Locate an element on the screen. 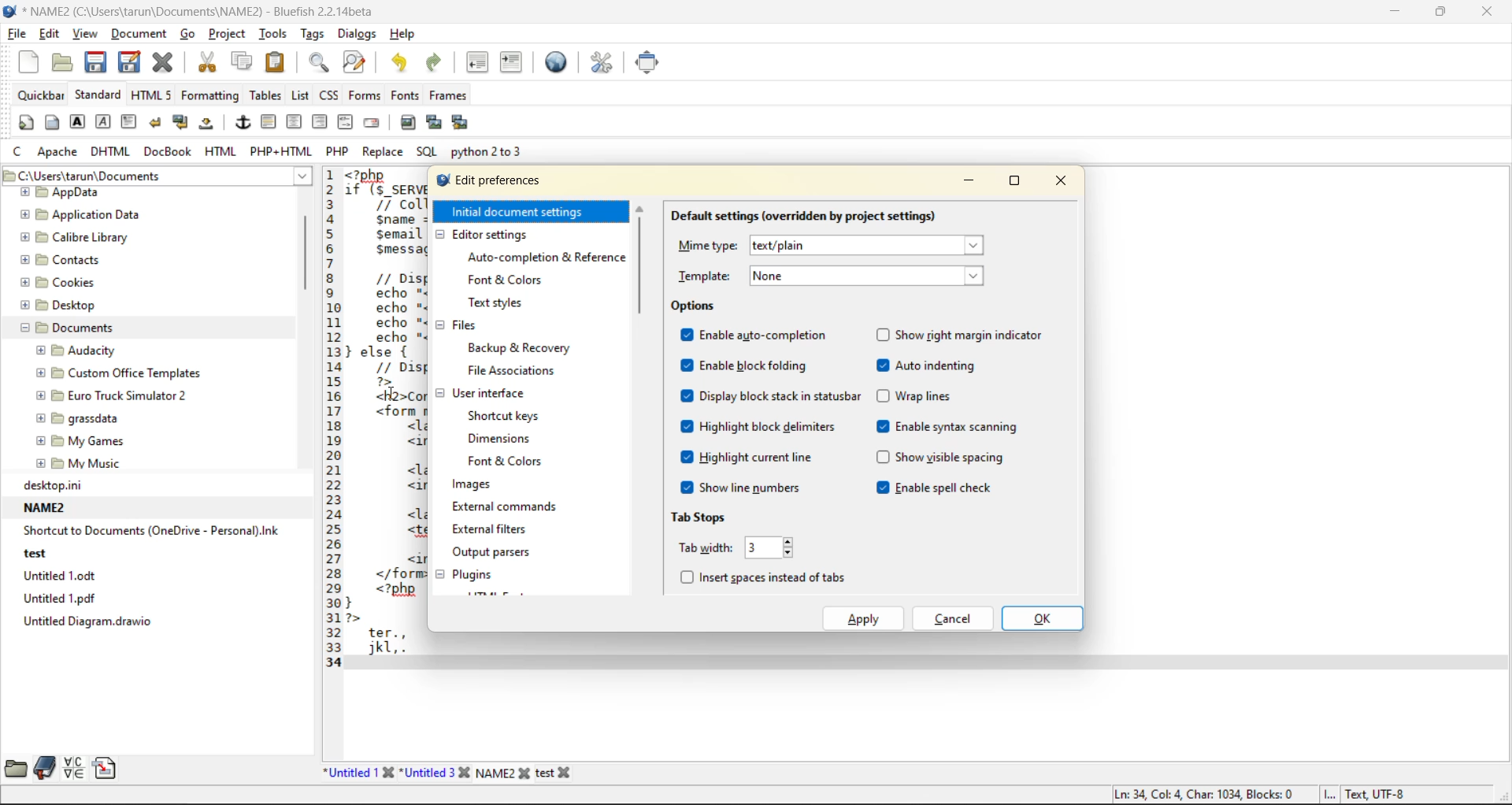 The height and width of the screenshot is (805, 1512). initial document settings is located at coordinates (517, 212).